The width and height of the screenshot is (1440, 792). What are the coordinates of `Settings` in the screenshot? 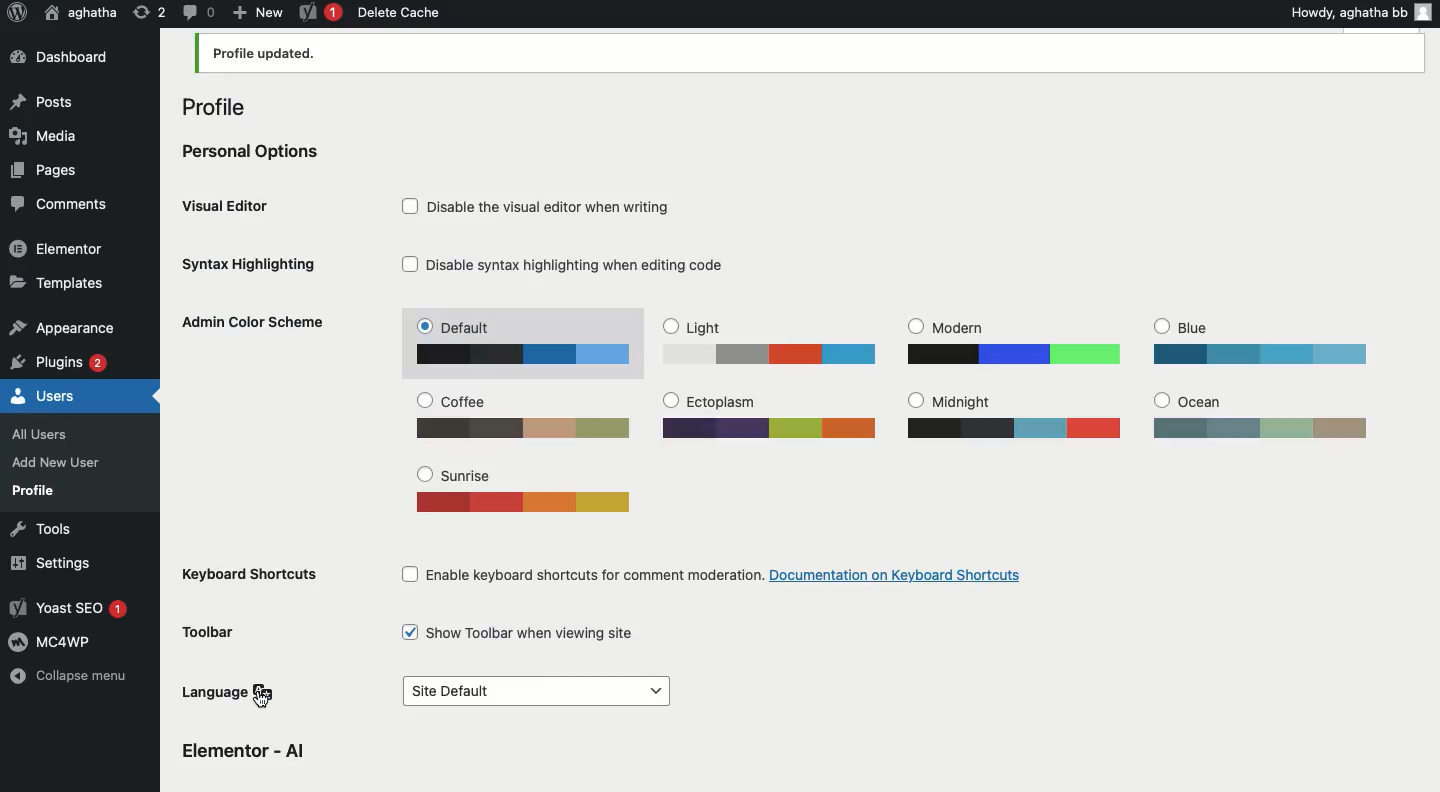 It's located at (47, 563).